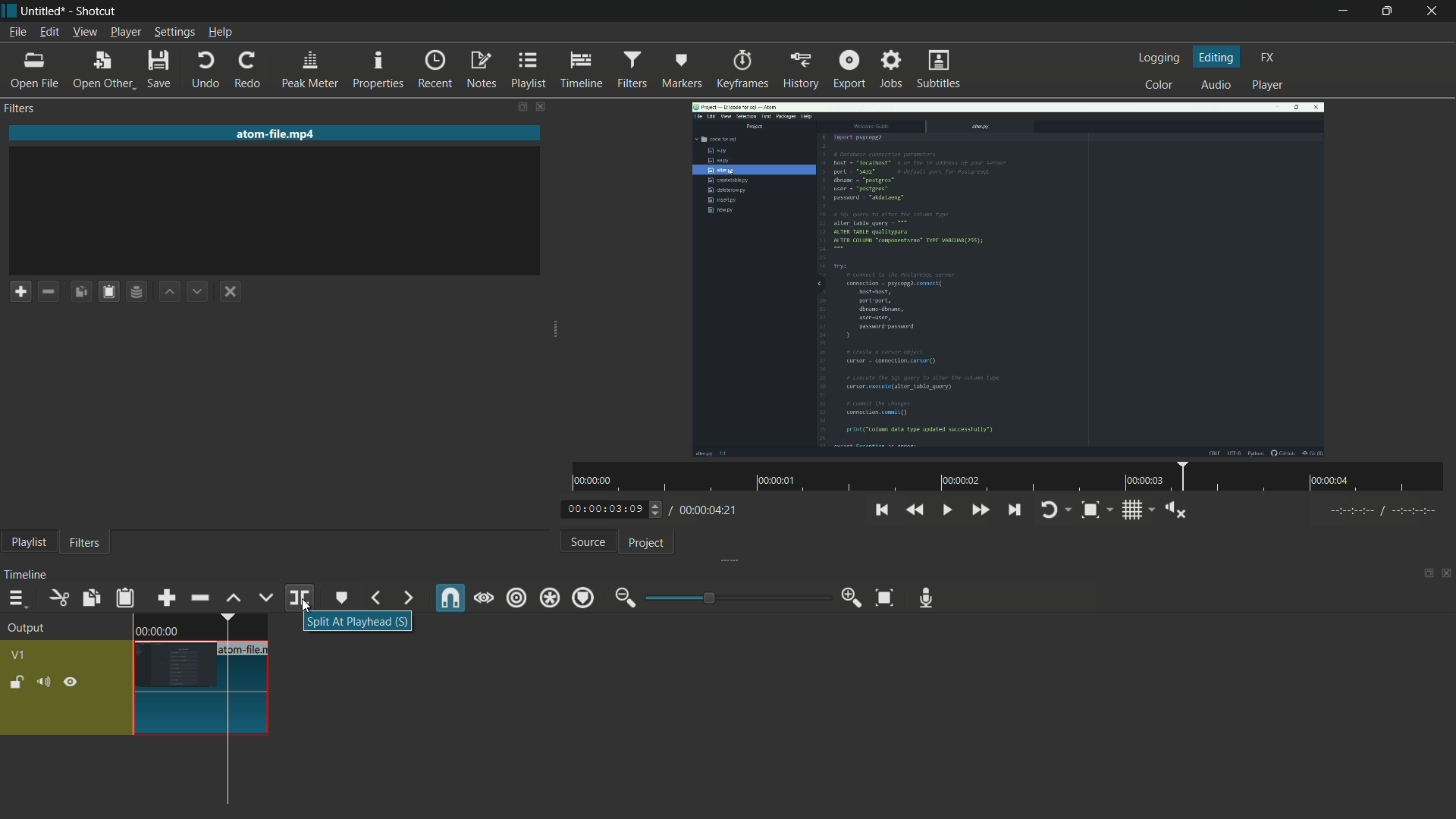 The image size is (1456, 819). Describe the element at coordinates (1217, 57) in the screenshot. I see `editing` at that location.